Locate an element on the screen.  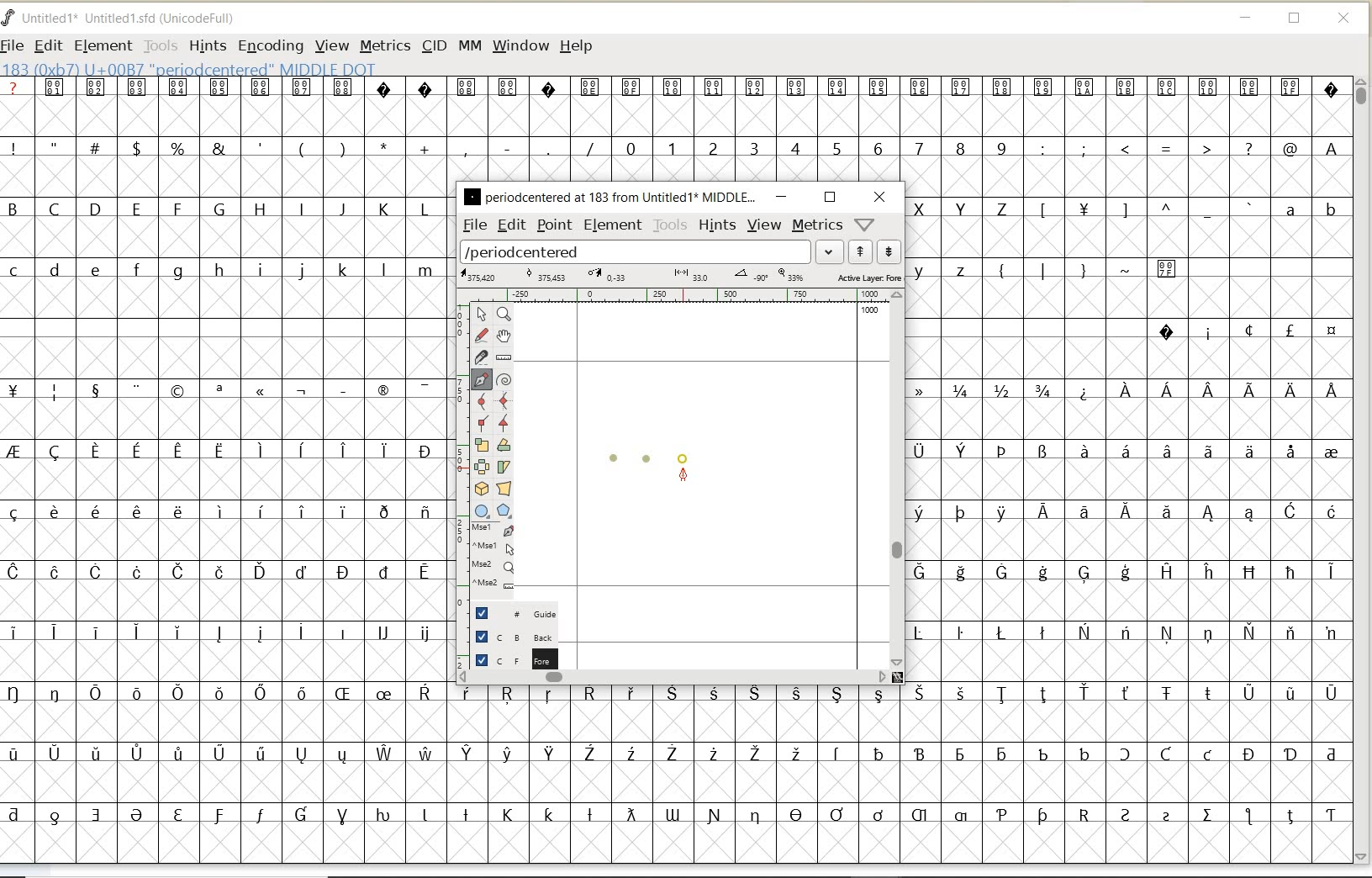
glyph name is located at coordinates (609, 196).